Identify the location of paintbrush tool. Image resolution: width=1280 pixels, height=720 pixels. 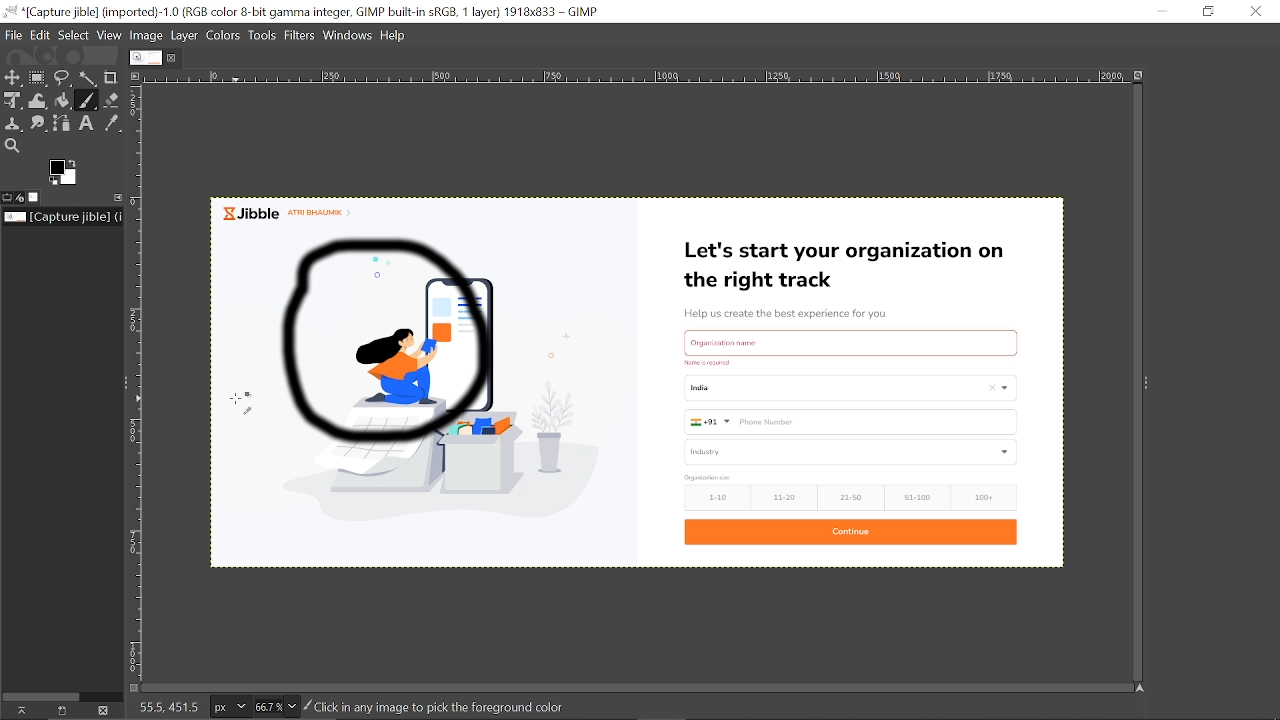
(87, 101).